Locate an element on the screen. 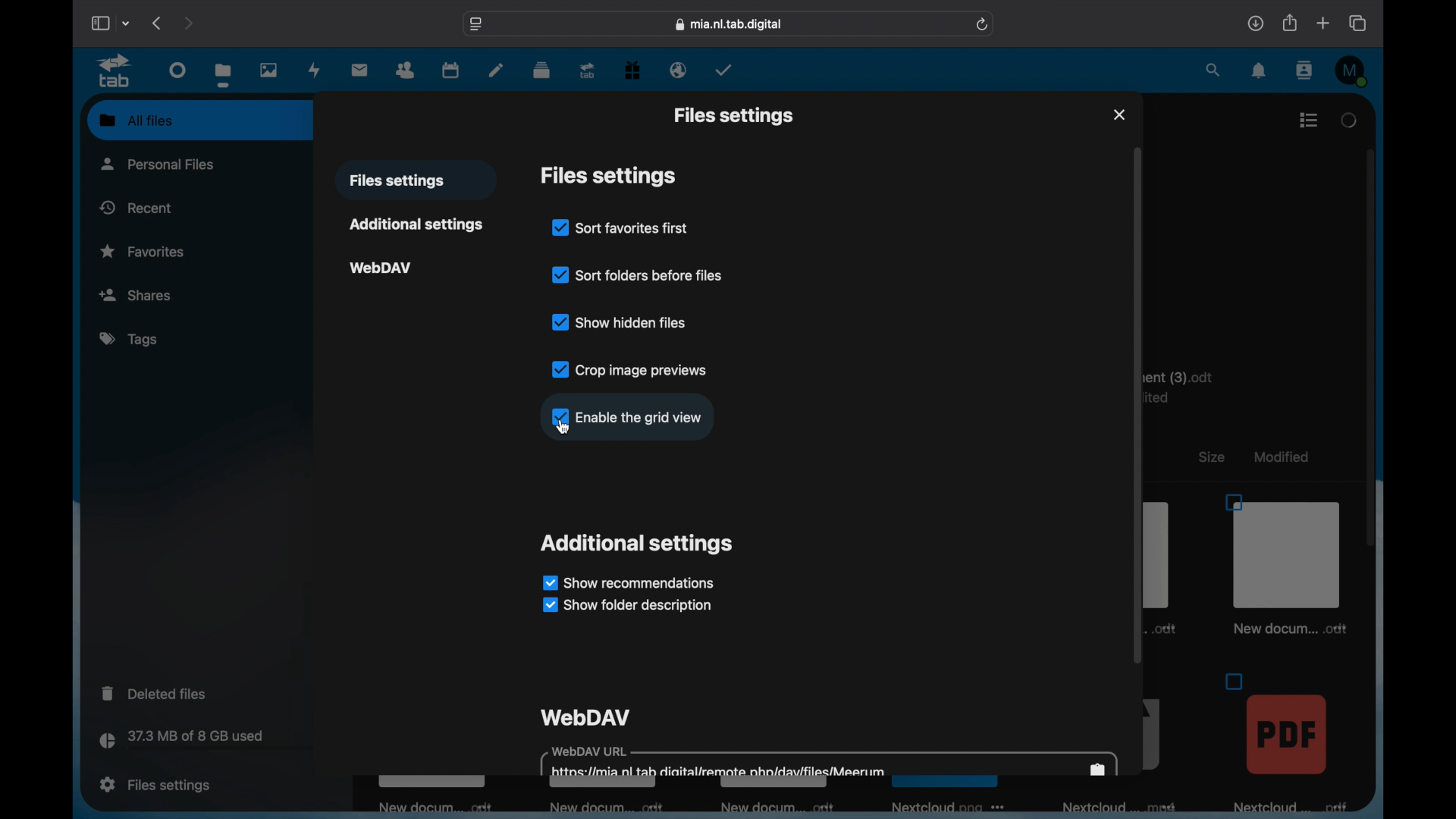  next is located at coordinates (188, 23).